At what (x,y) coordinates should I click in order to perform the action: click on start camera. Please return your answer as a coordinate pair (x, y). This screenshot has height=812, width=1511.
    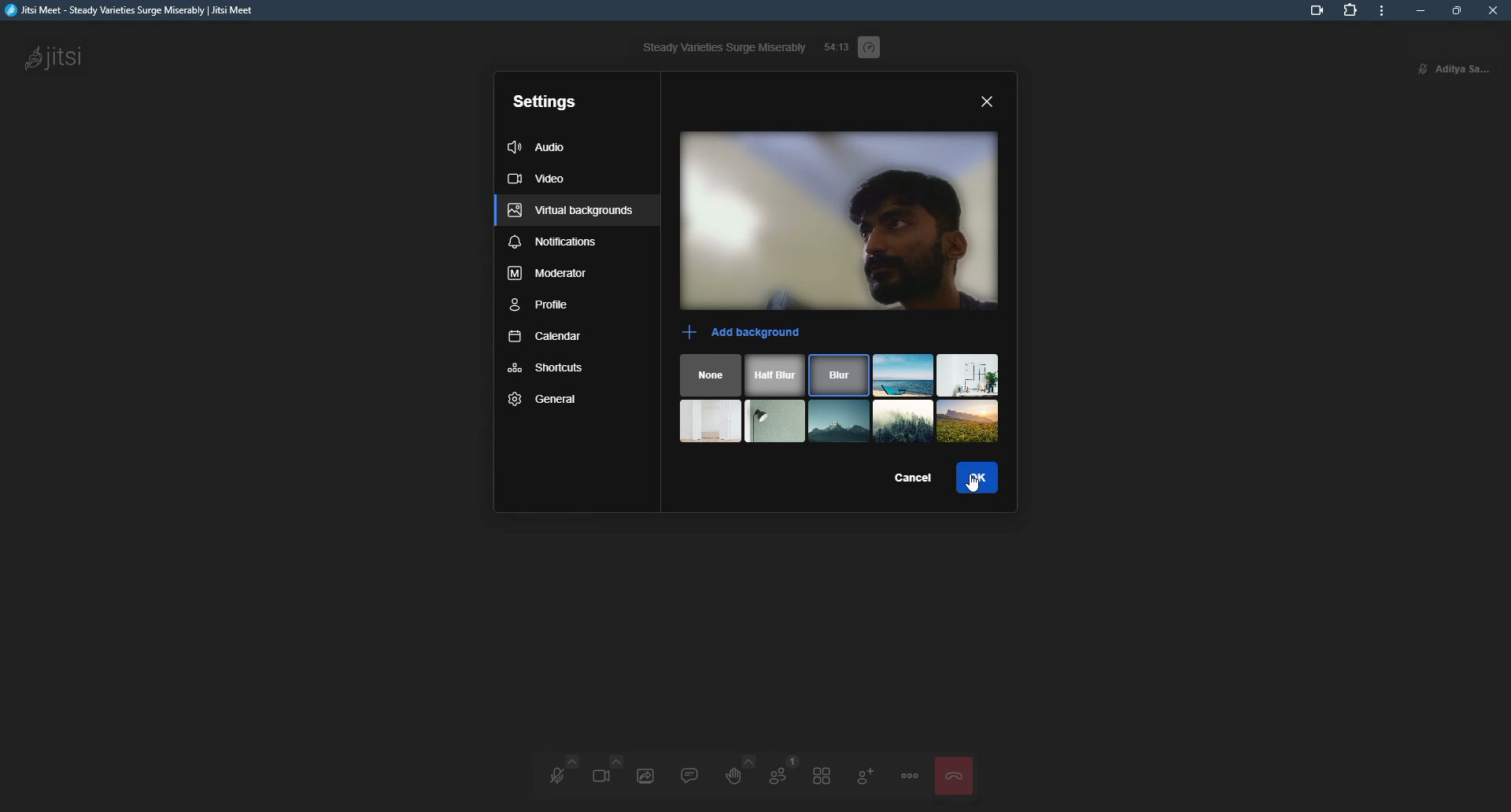
    Looking at the image, I should click on (604, 772).